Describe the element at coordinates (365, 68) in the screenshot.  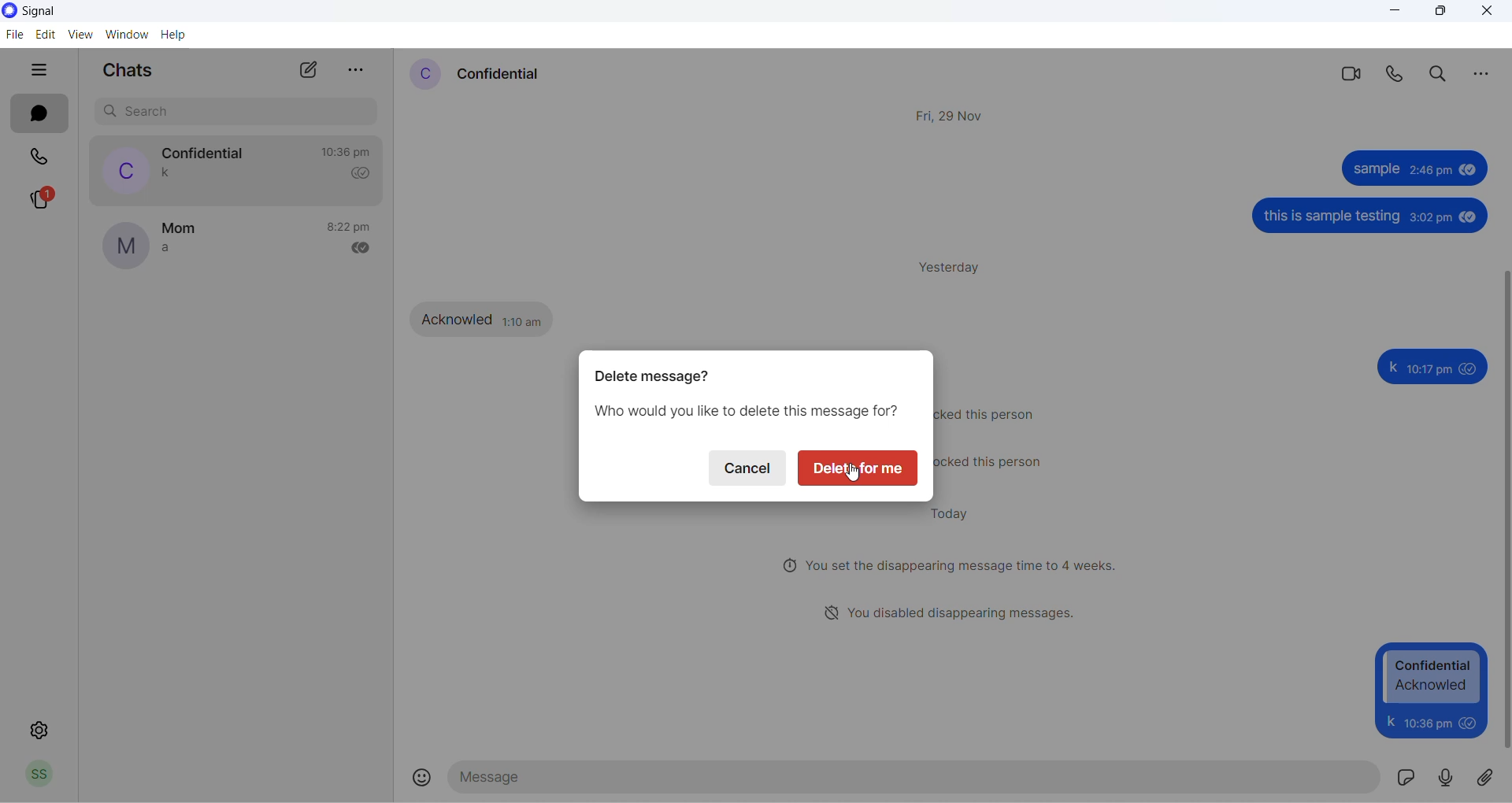
I see `more options` at that location.